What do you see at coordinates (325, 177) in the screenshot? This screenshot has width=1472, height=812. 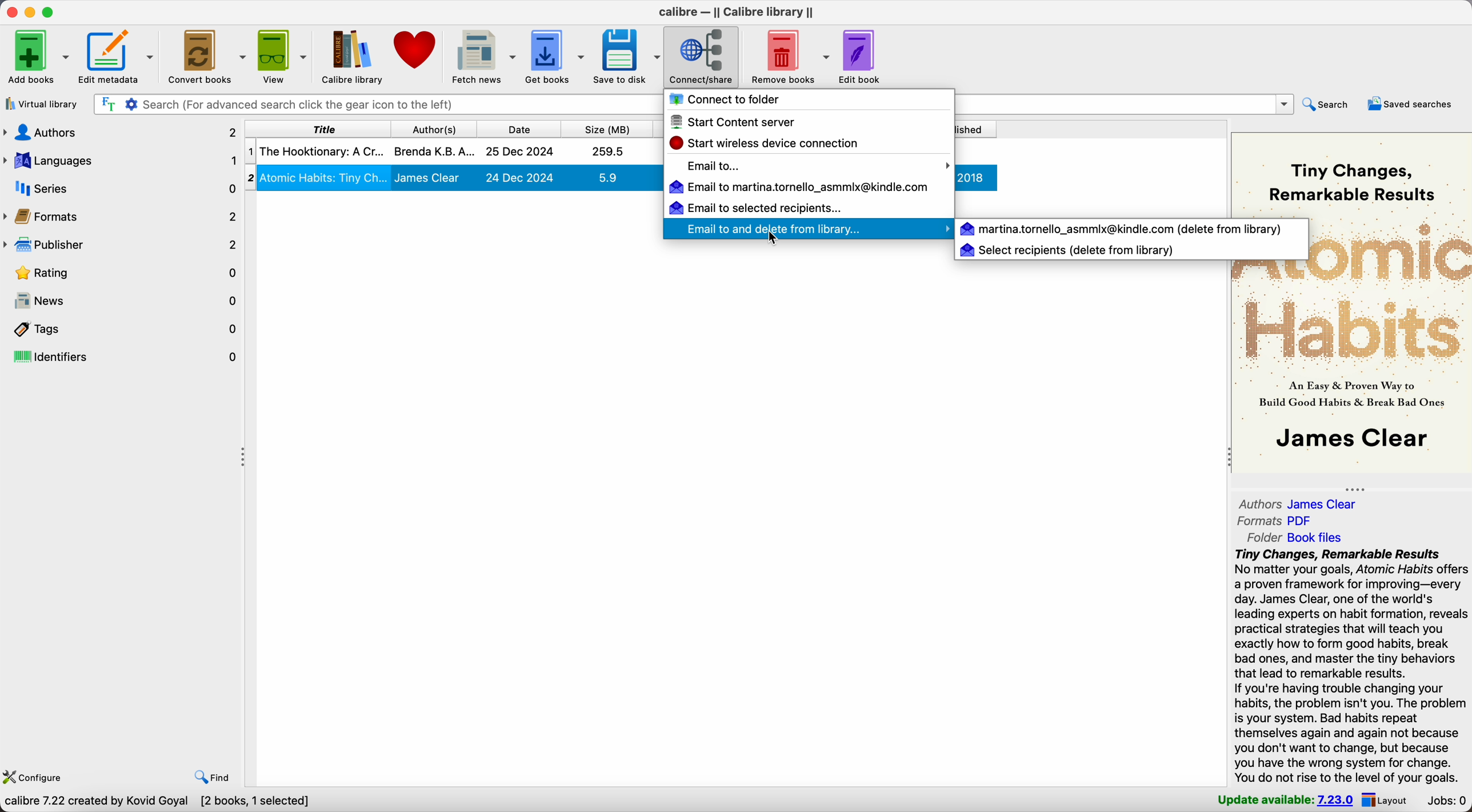 I see `2| Atomic Habits: Tiny Ch...` at bounding box center [325, 177].